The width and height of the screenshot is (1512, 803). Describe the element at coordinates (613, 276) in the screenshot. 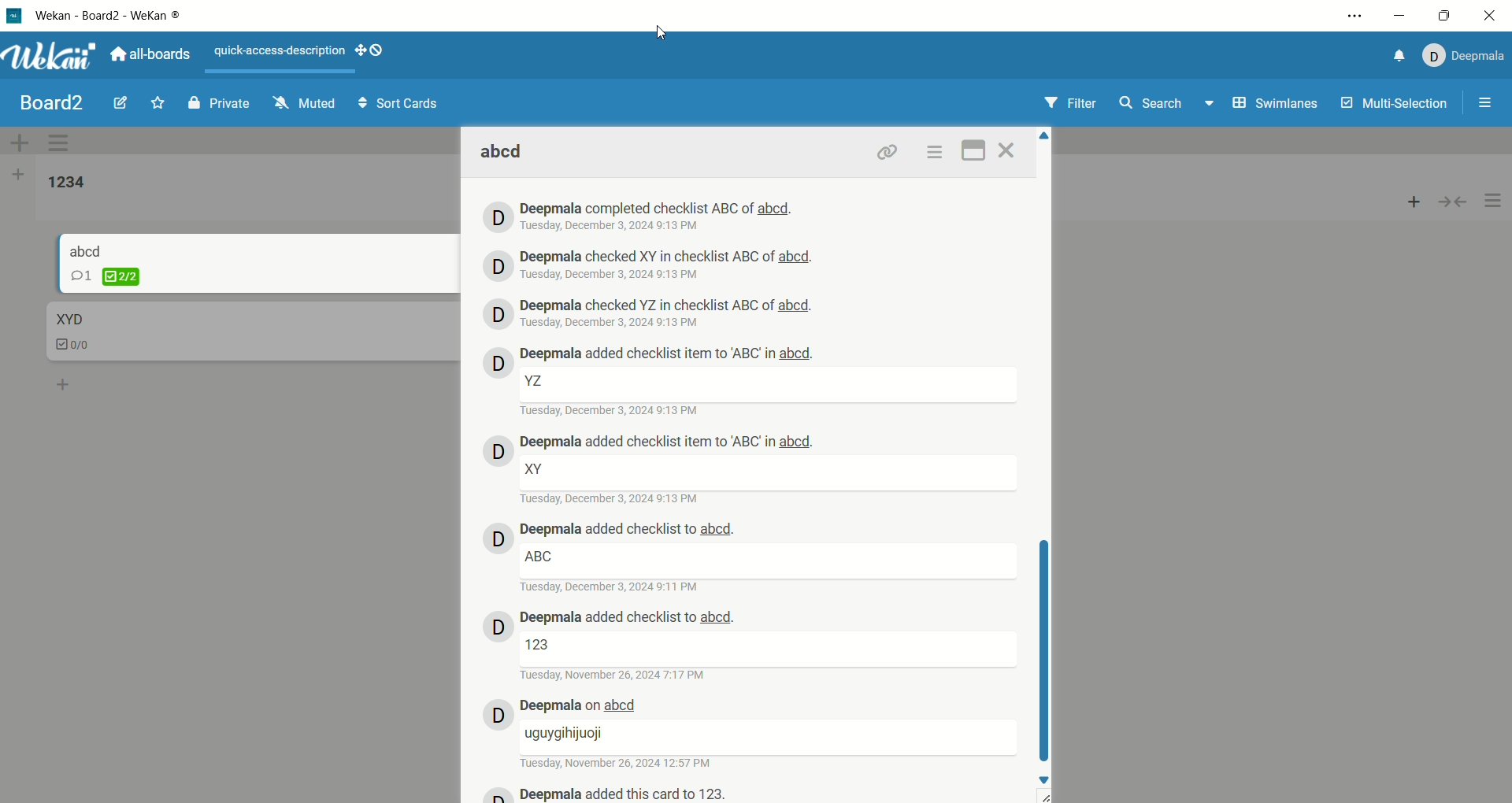

I see `date and time` at that location.